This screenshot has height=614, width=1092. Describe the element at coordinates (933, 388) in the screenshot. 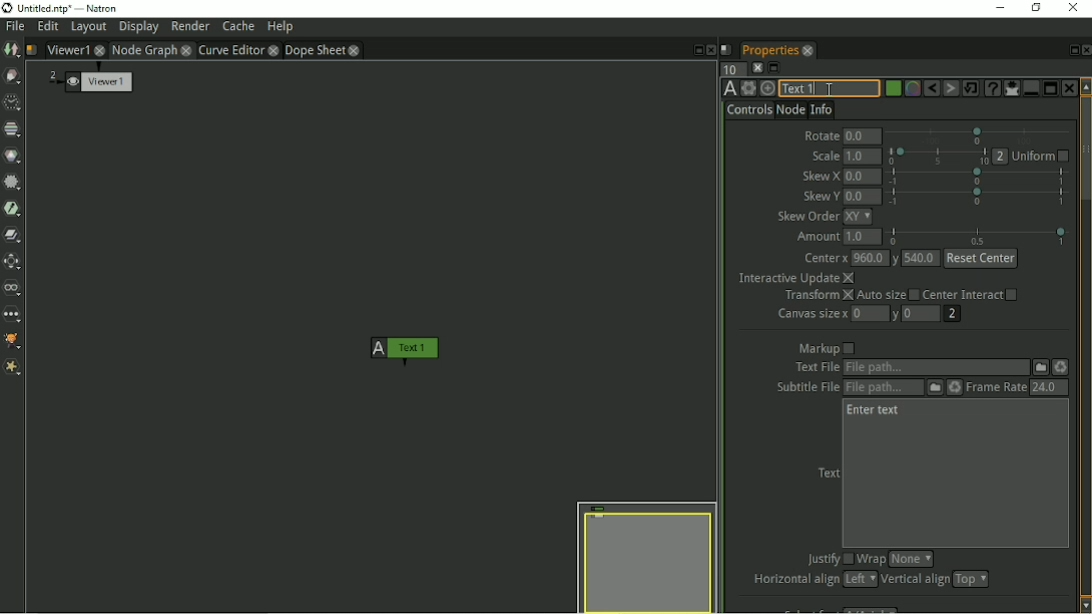

I see `Subtitle` at that location.